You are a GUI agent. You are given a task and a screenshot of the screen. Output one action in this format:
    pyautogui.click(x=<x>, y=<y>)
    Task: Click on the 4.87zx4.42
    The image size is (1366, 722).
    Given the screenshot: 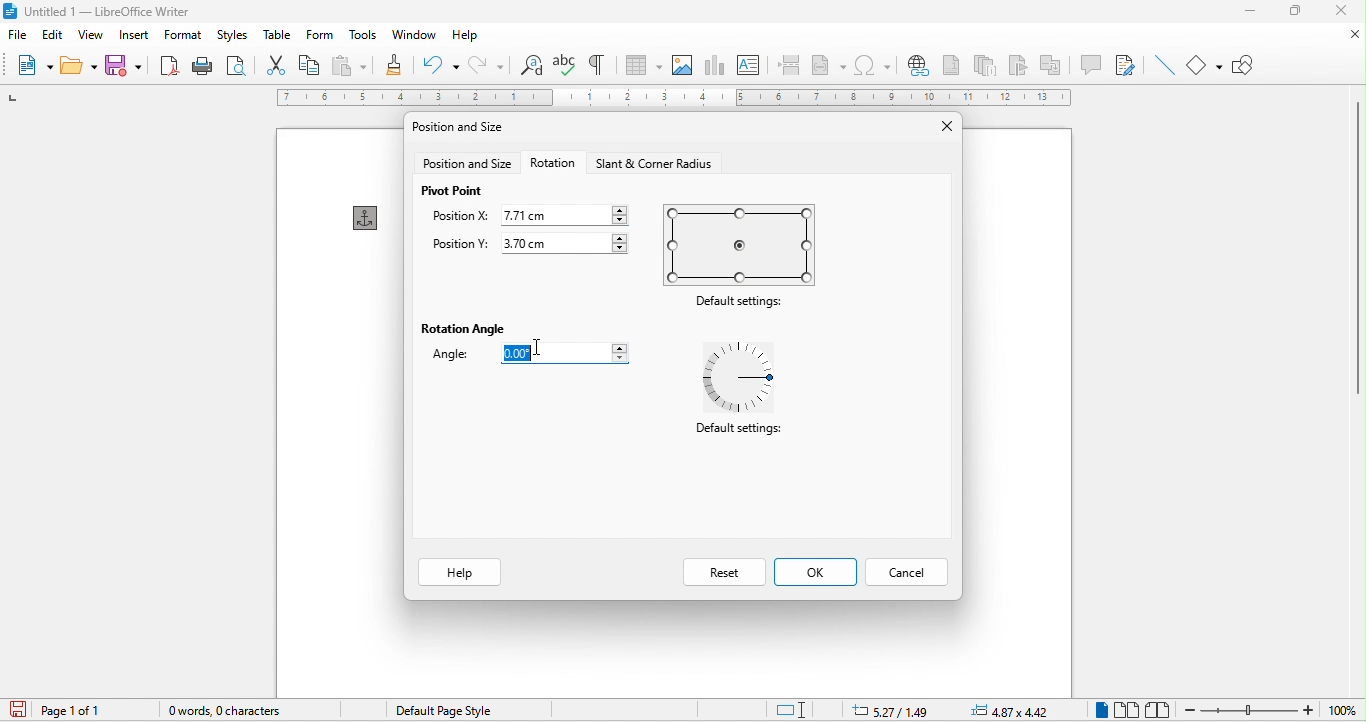 What is the action you would take?
    pyautogui.click(x=1010, y=709)
    